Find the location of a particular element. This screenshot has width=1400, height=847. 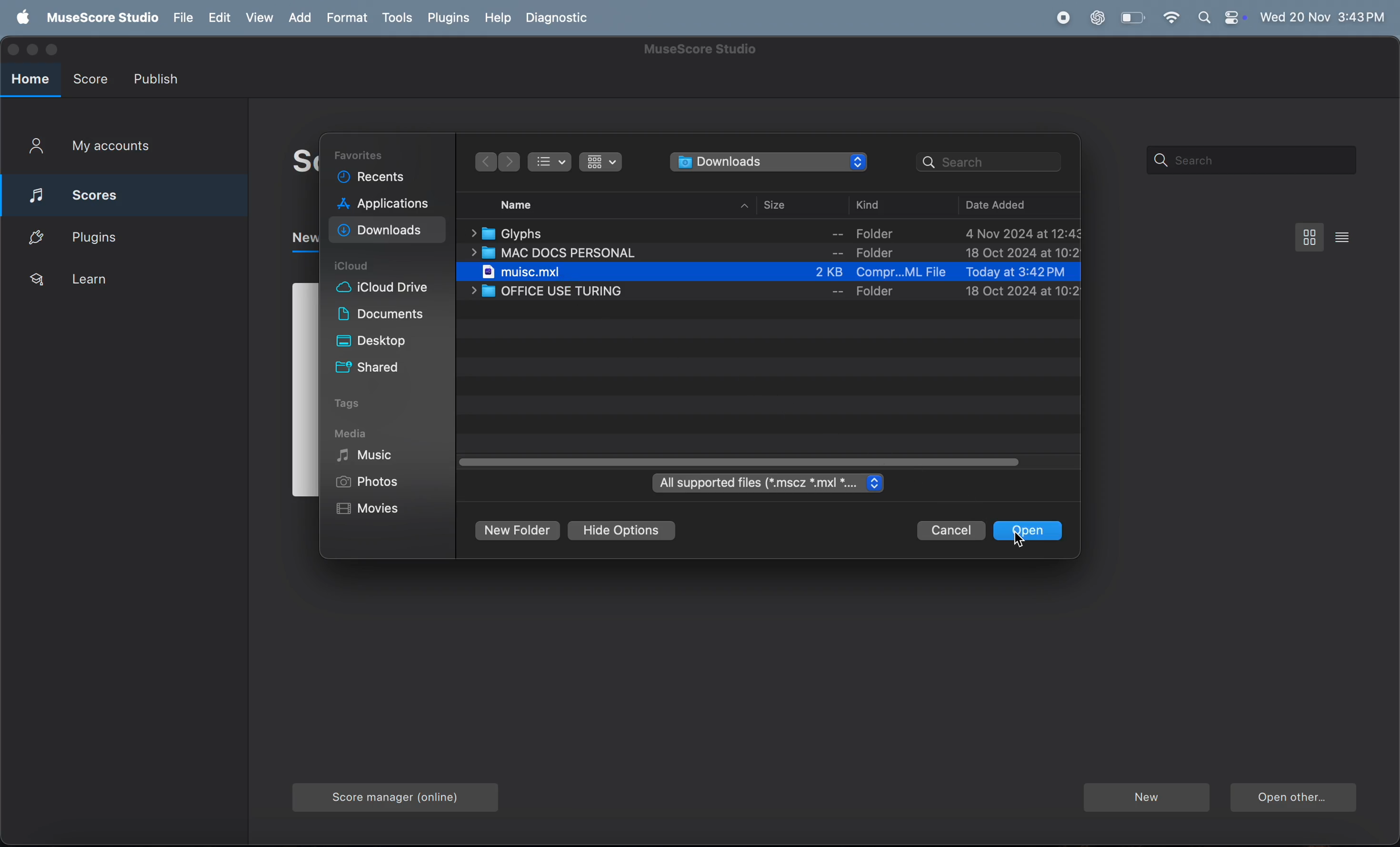

media is located at coordinates (354, 436).